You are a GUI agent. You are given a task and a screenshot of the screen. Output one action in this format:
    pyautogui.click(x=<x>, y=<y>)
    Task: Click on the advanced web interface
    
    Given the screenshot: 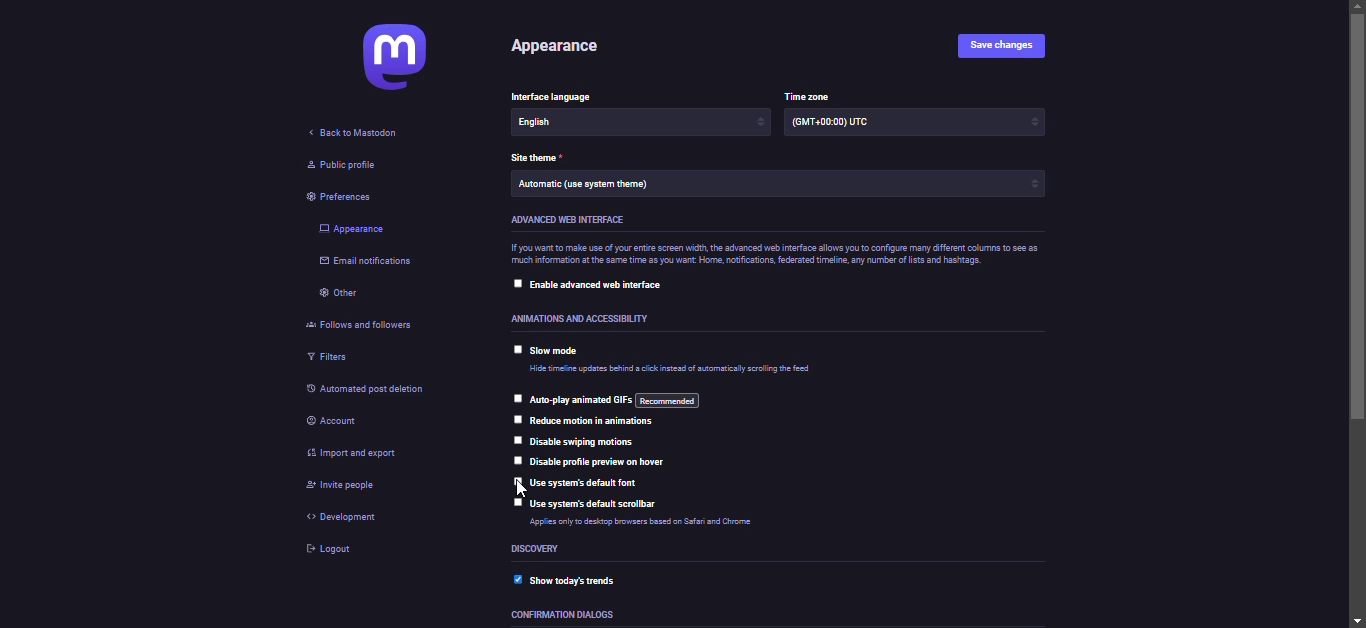 What is the action you would take?
    pyautogui.click(x=582, y=220)
    